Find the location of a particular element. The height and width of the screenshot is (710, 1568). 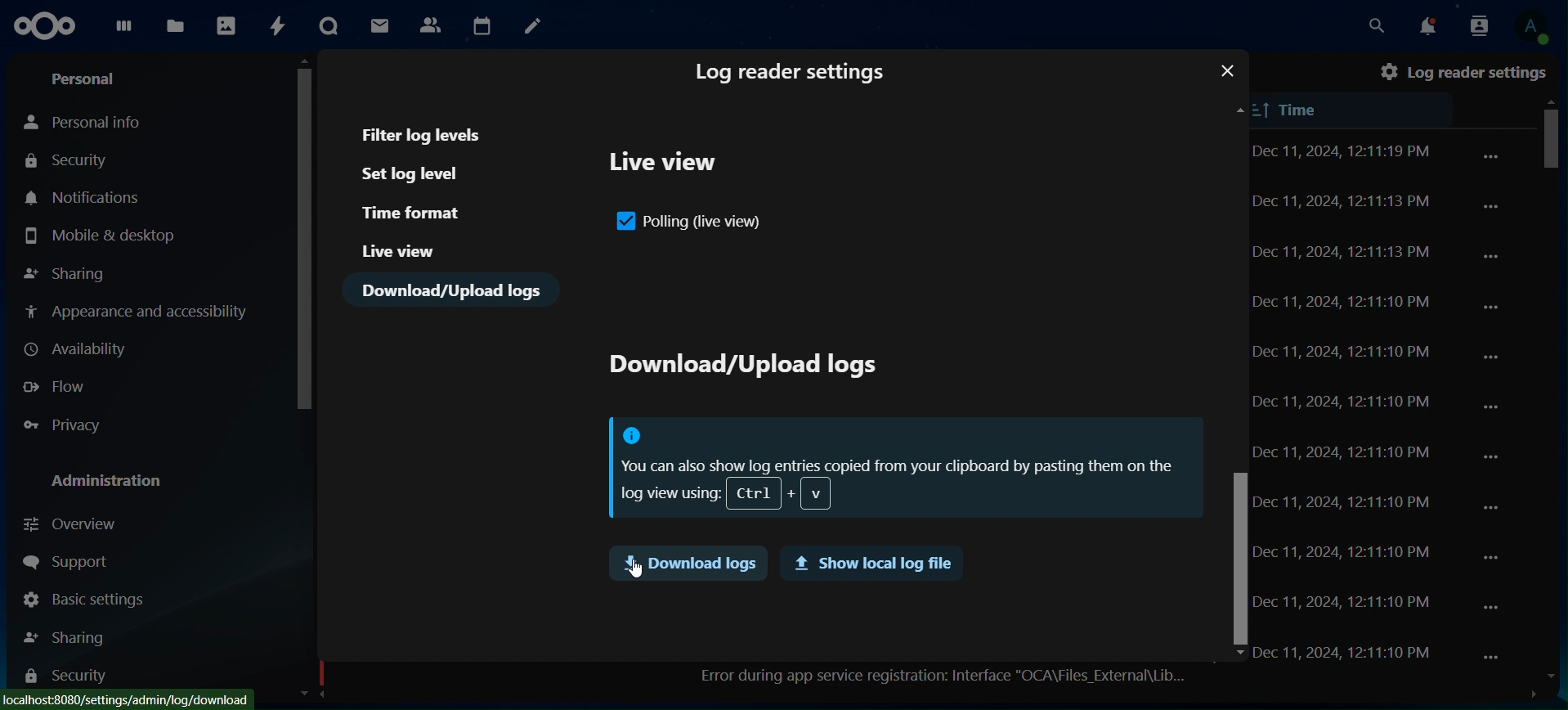

scrollbar is located at coordinates (1552, 156).